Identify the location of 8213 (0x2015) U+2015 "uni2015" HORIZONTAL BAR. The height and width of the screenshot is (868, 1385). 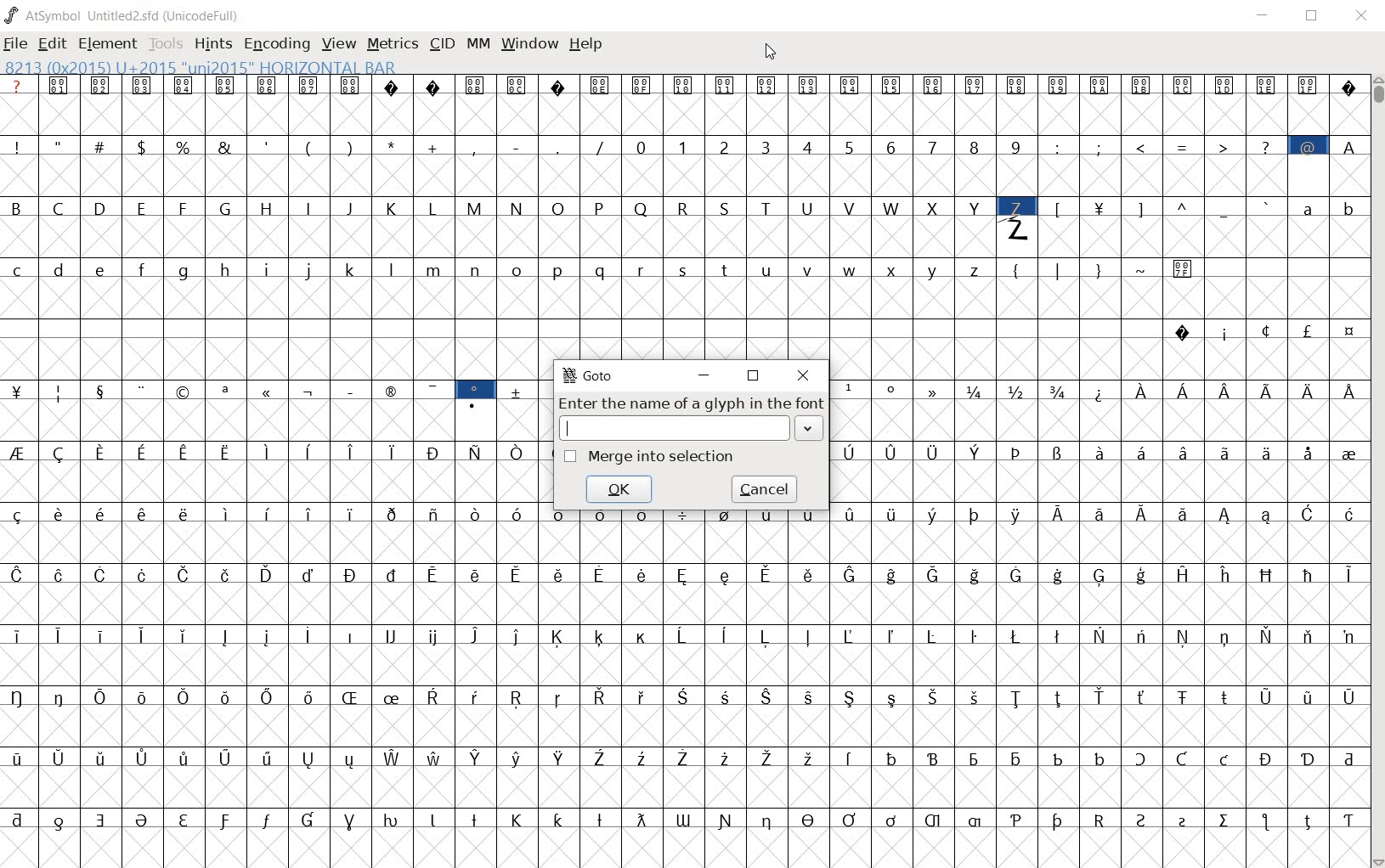
(199, 67).